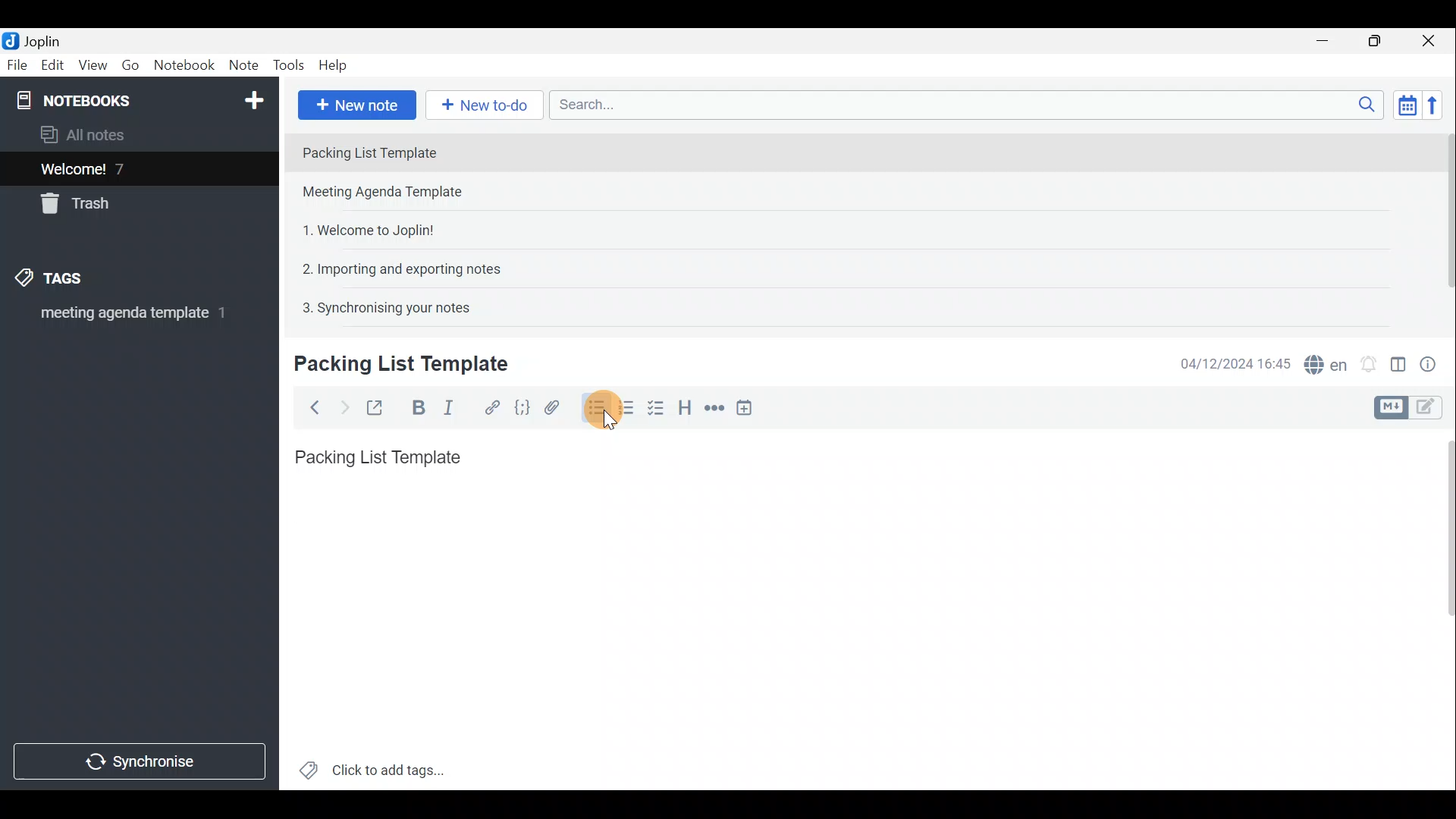 Image resolution: width=1456 pixels, height=819 pixels. Describe the element at coordinates (485, 105) in the screenshot. I see `New to-do` at that location.